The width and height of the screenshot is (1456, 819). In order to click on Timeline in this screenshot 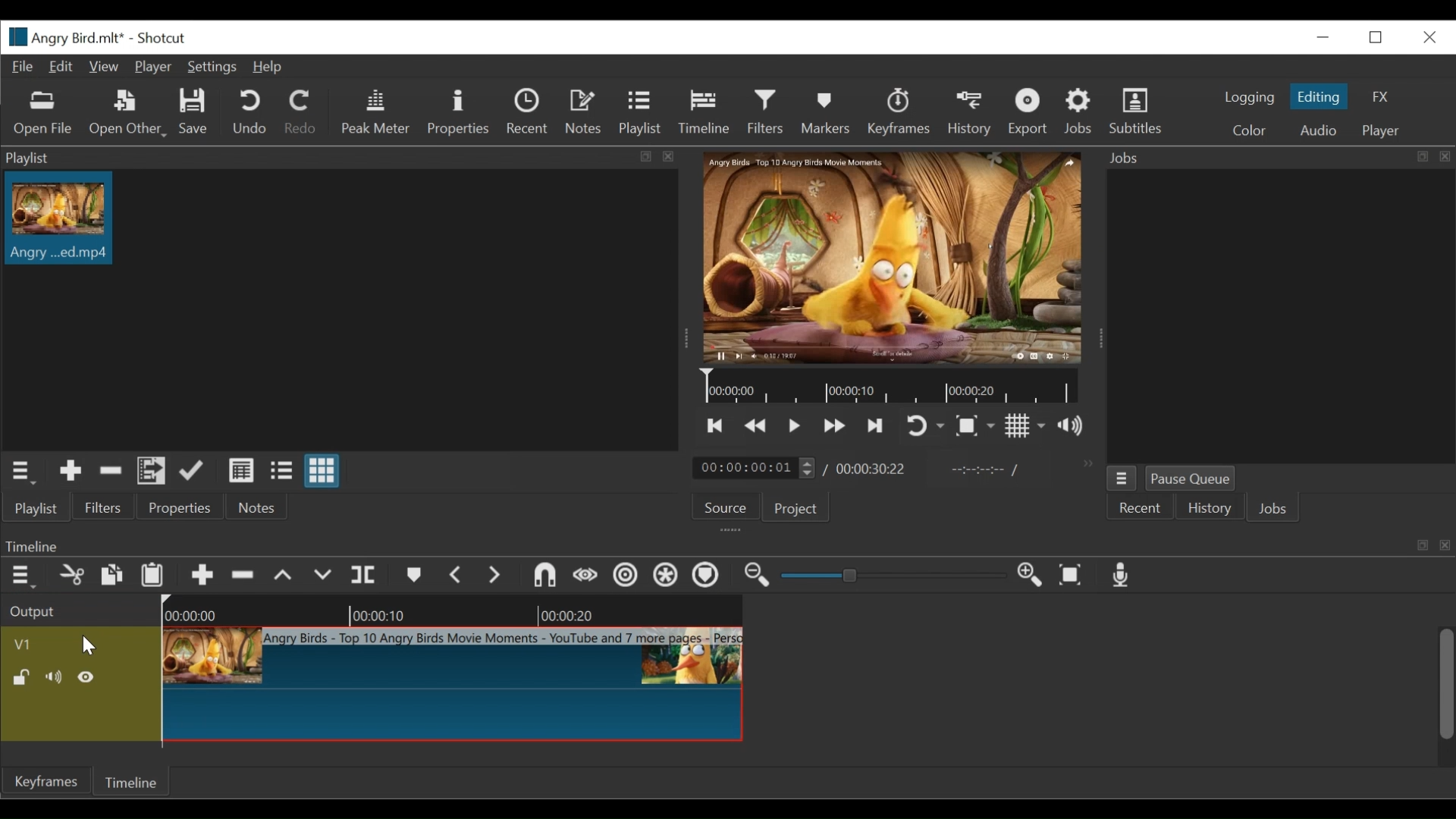, I will do `click(134, 784)`.